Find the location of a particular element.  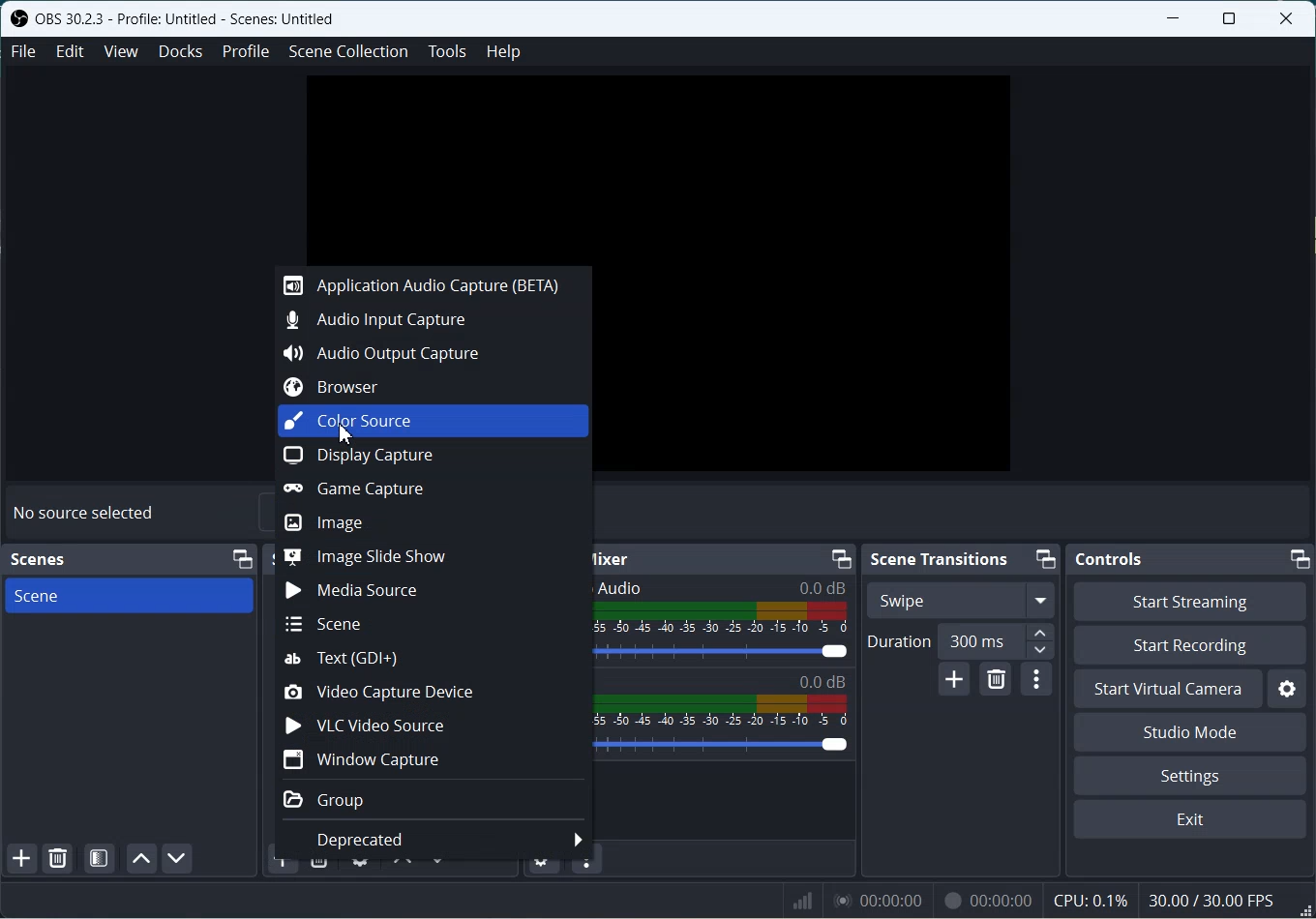

Color Source is located at coordinates (433, 421).